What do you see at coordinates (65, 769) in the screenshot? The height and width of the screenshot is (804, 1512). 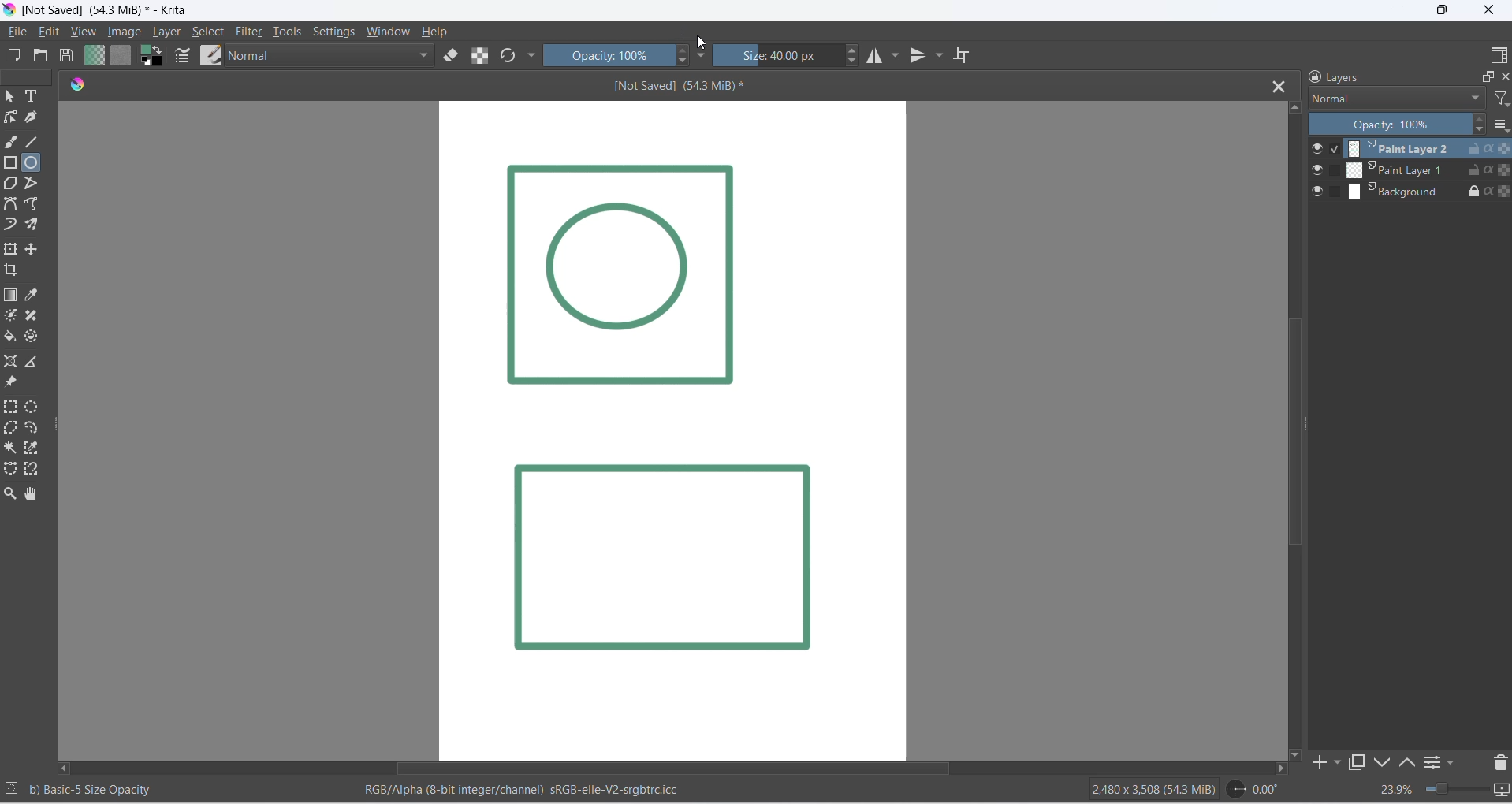 I see `move left` at bounding box center [65, 769].